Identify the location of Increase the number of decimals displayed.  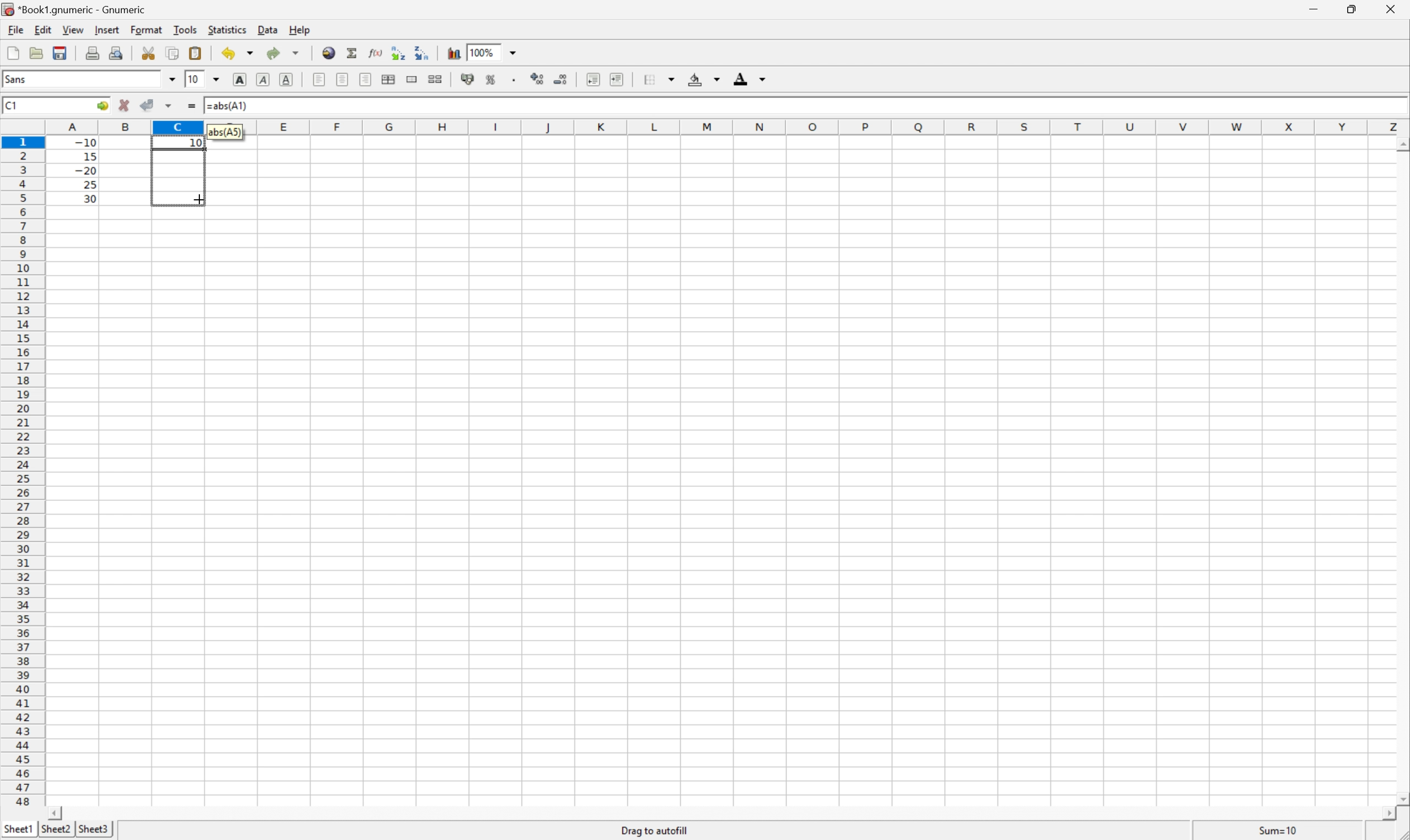
(540, 80).